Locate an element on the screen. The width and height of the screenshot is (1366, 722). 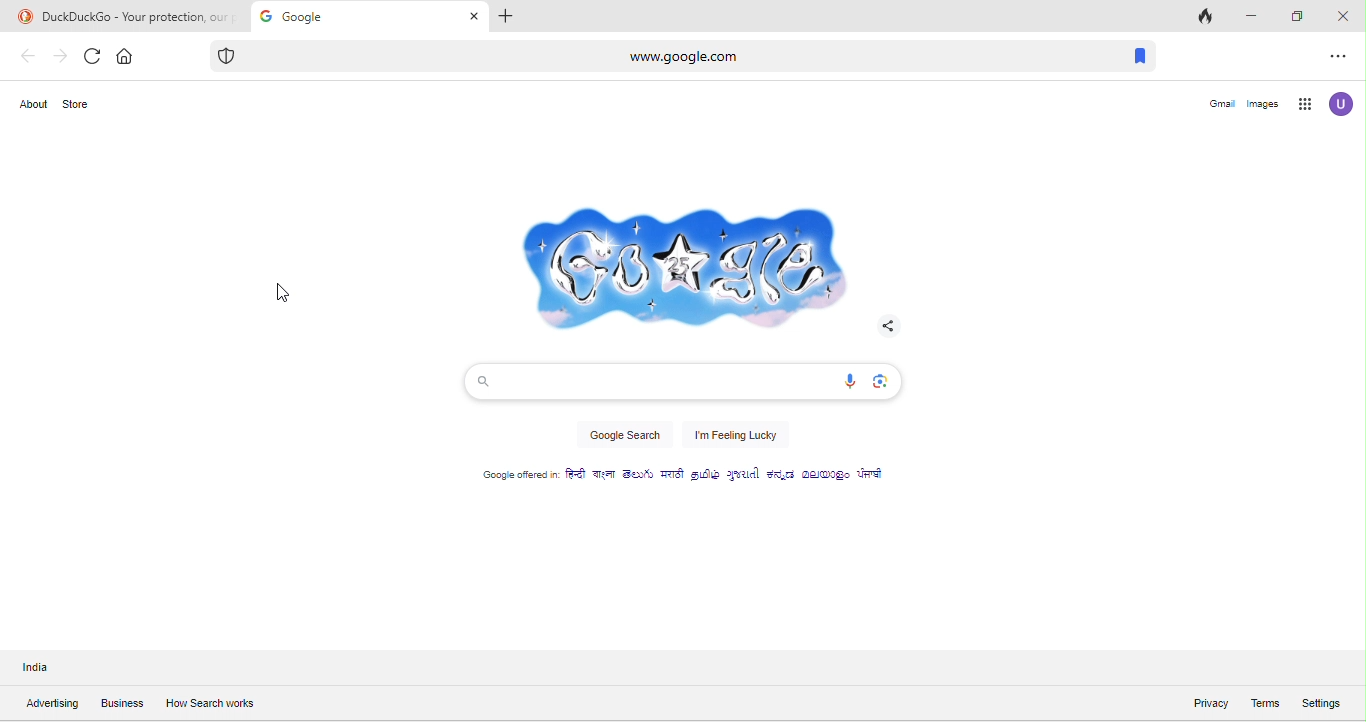
about is located at coordinates (36, 106).